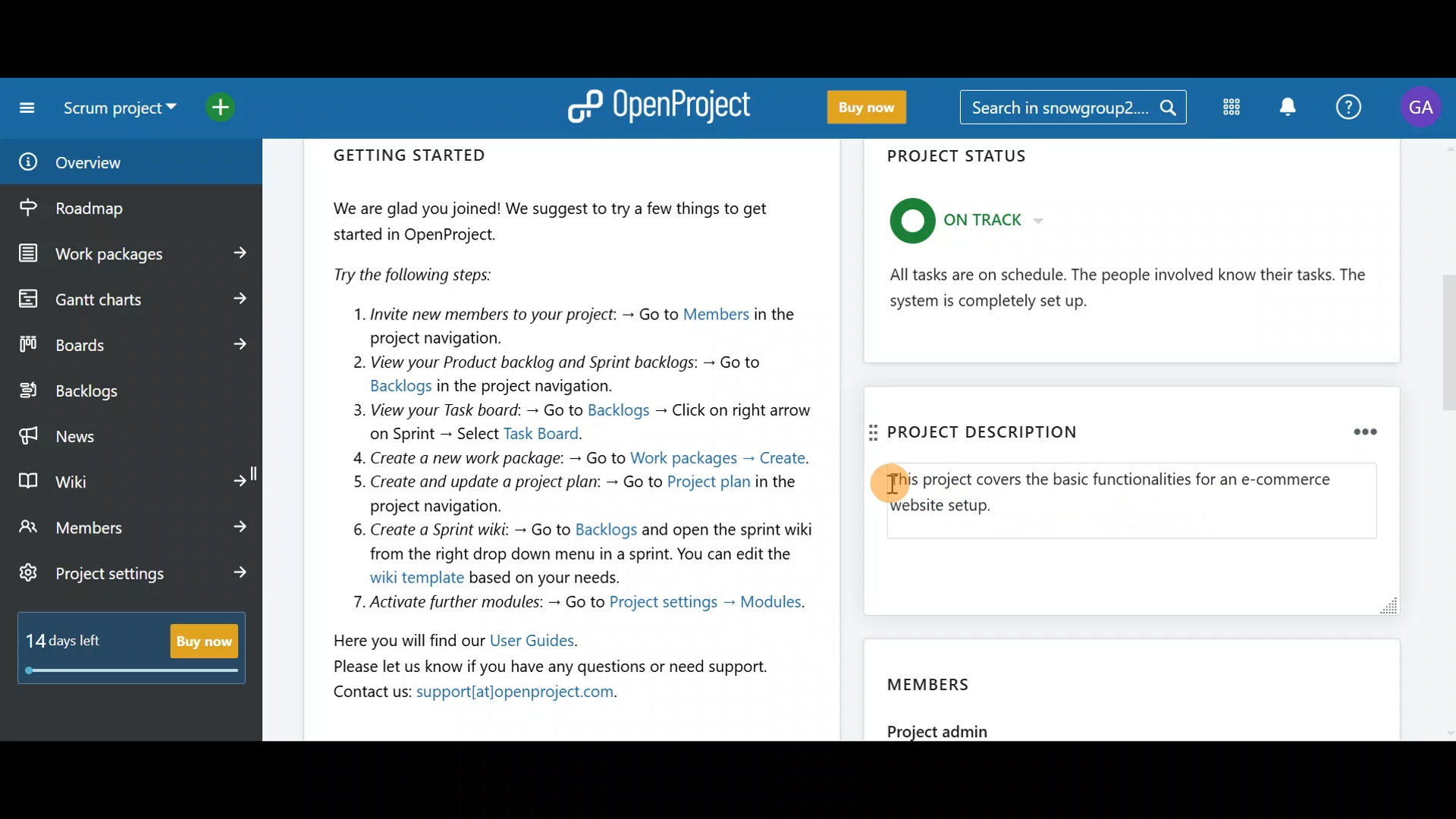 The width and height of the screenshot is (1456, 819). What do you see at coordinates (1137, 685) in the screenshot?
I see `Members` at bounding box center [1137, 685].